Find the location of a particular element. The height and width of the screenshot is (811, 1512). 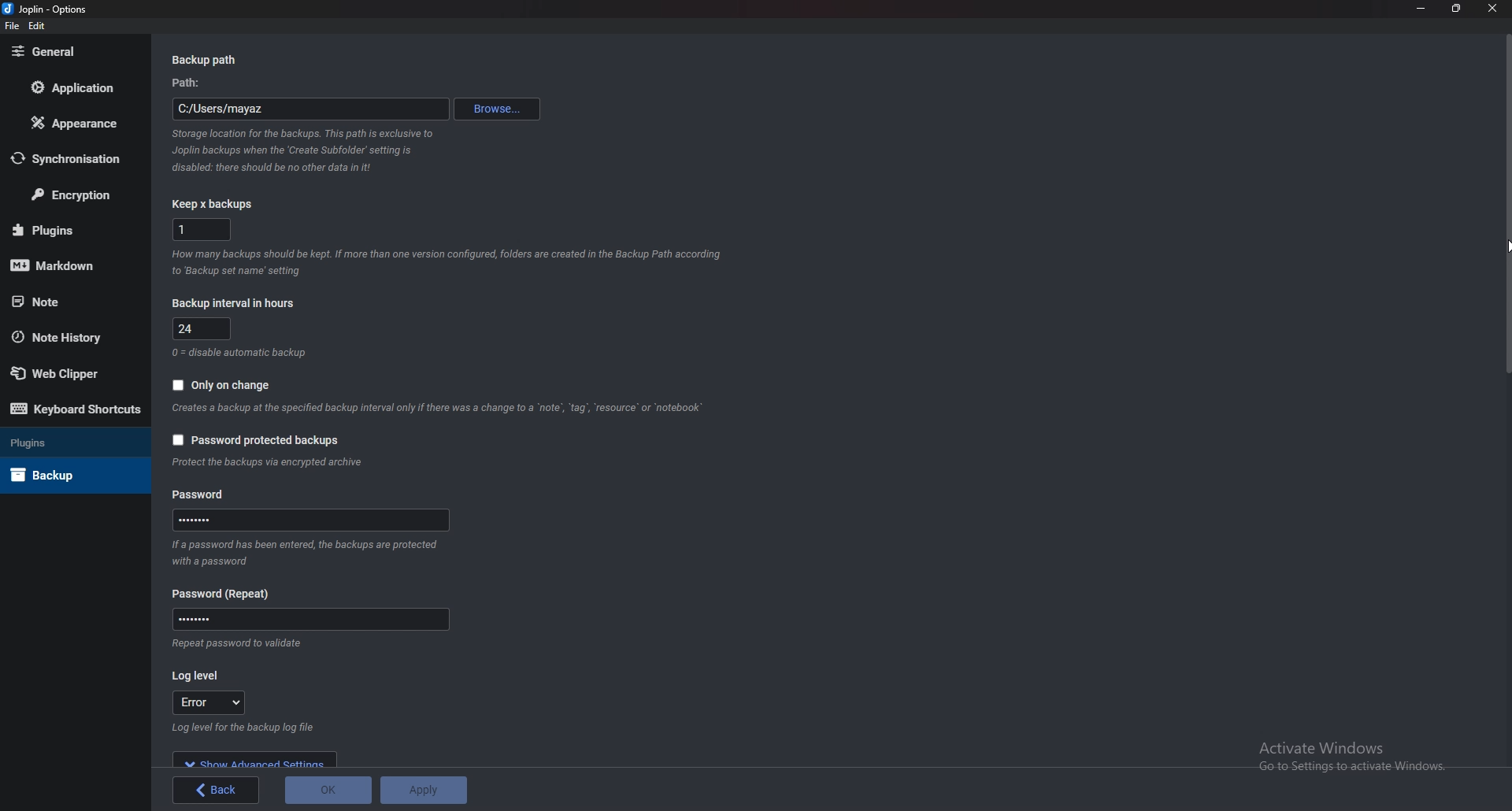

Synchronization is located at coordinates (76, 161).